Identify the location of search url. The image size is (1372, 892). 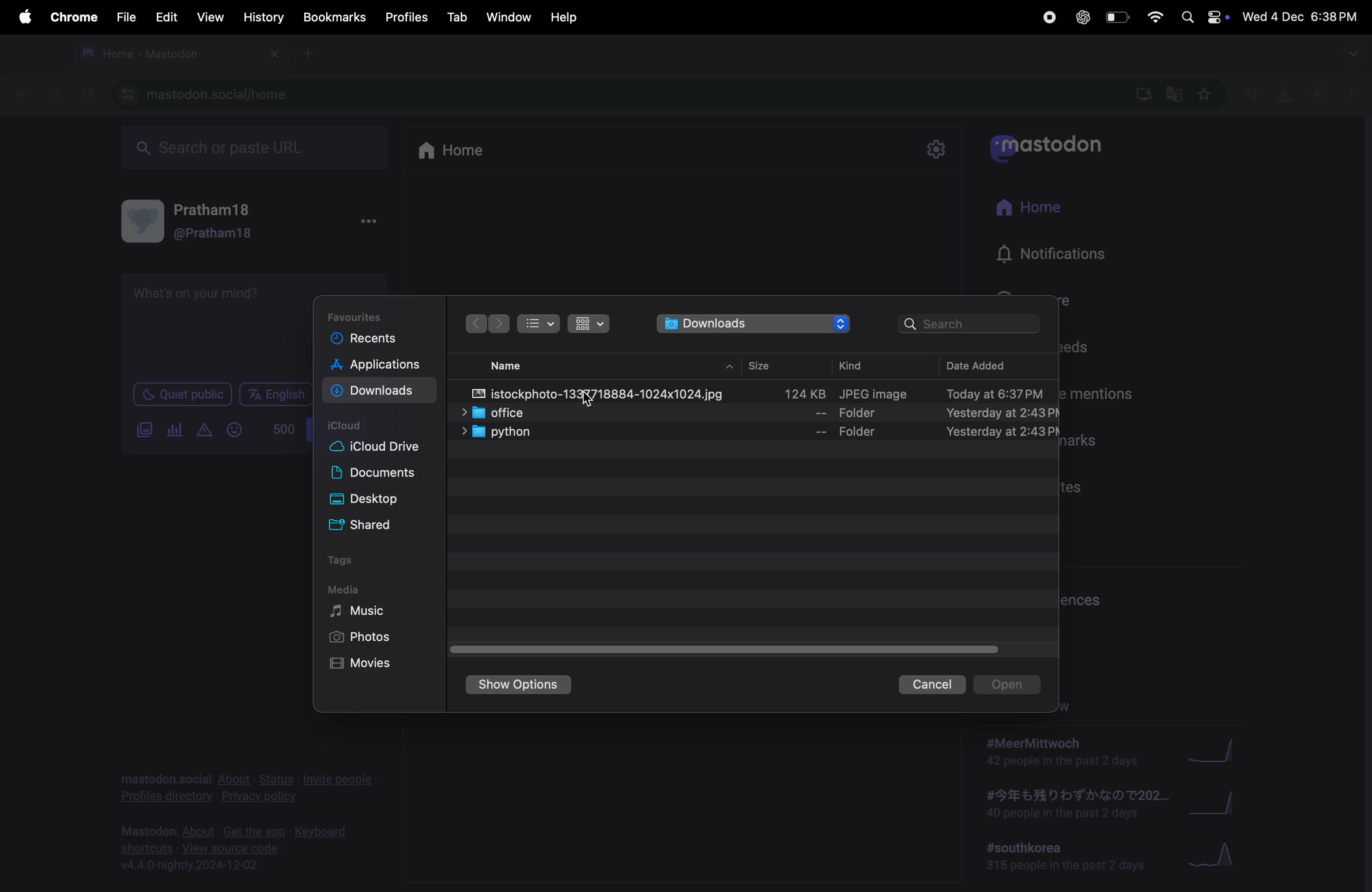
(251, 148).